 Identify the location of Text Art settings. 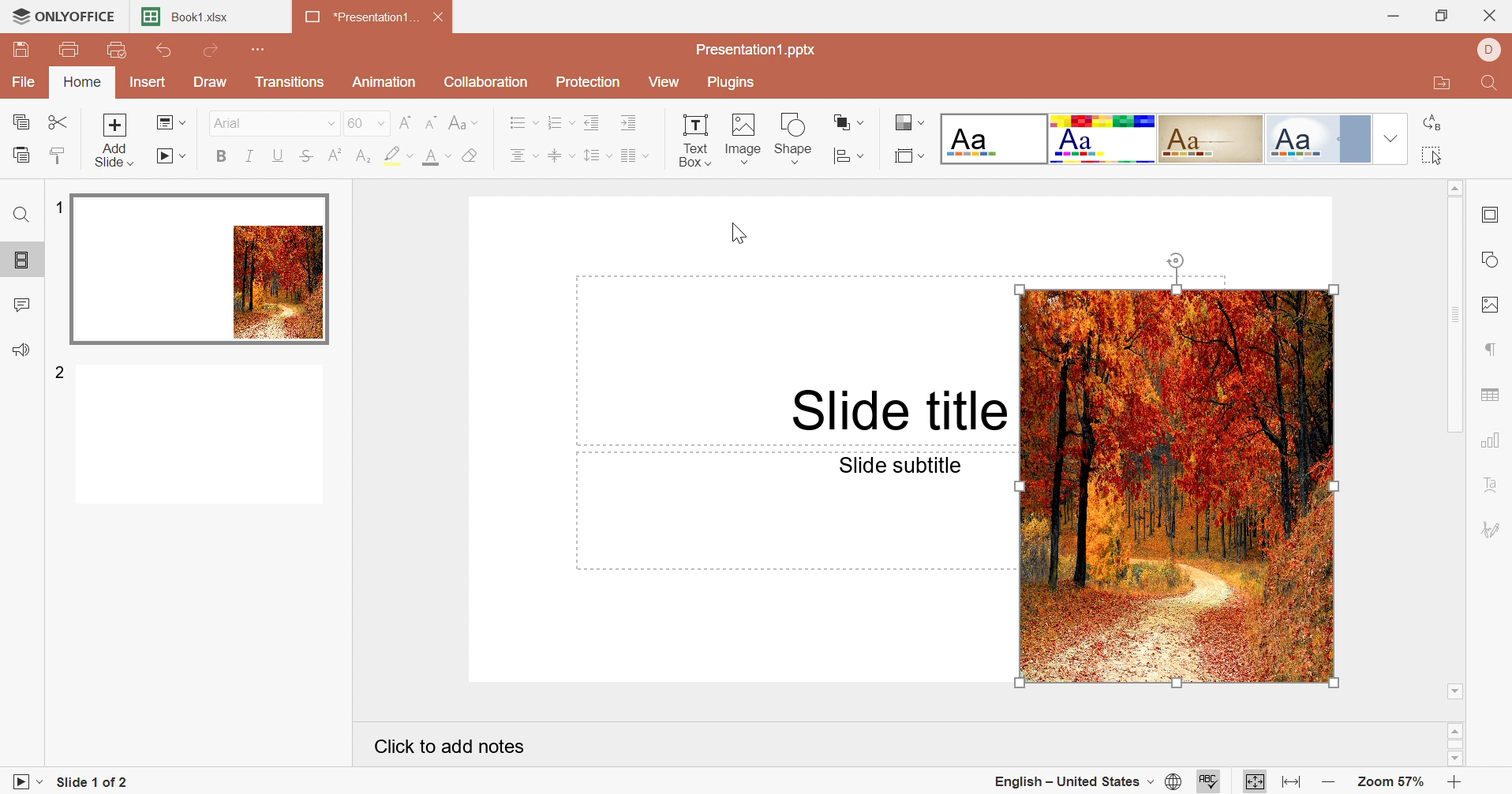
(1494, 484).